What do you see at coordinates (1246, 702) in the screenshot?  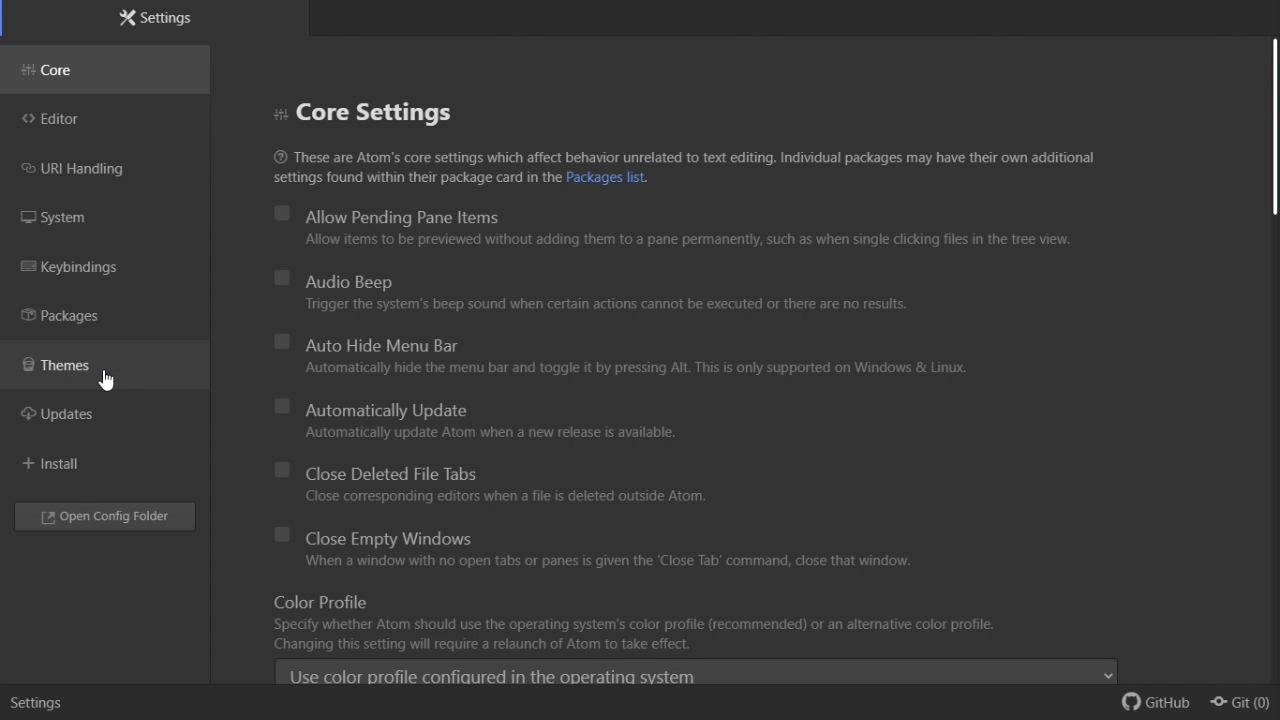 I see `git ` at bounding box center [1246, 702].